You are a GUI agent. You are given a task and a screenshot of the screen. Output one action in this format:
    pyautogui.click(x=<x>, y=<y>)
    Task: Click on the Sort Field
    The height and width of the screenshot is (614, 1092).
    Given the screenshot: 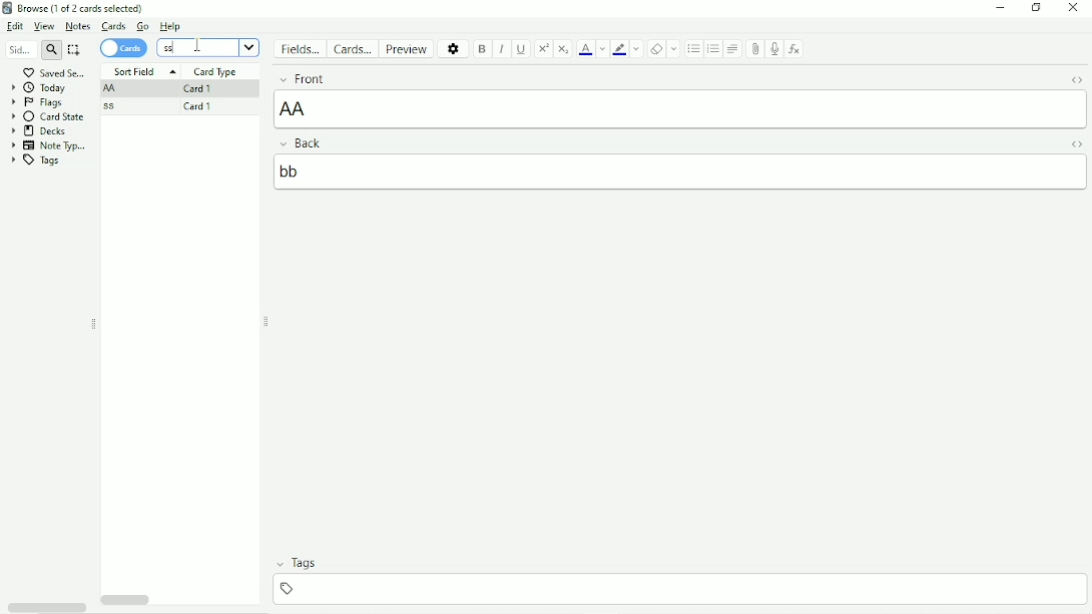 What is the action you would take?
    pyautogui.click(x=143, y=71)
    